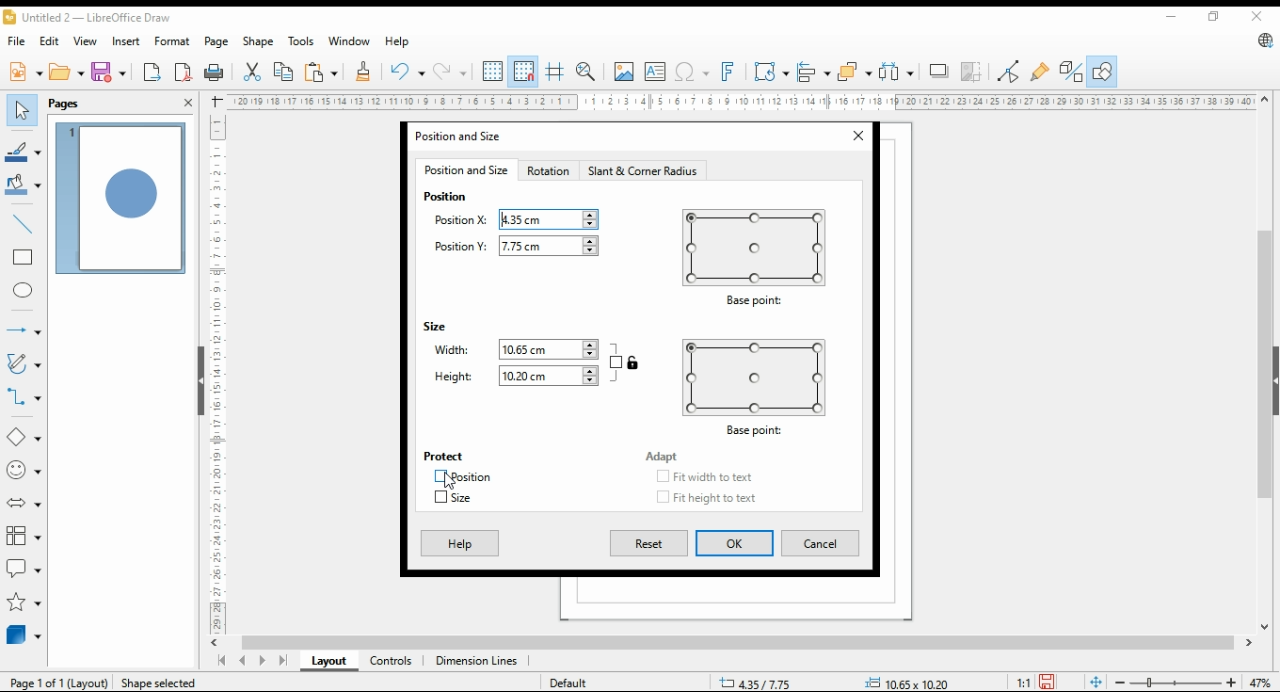 This screenshot has width=1280, height=692. What do you see at coordinates (447, 477) in the screenshot?
I see `mouse pointer` at bounding box center [447, 477].